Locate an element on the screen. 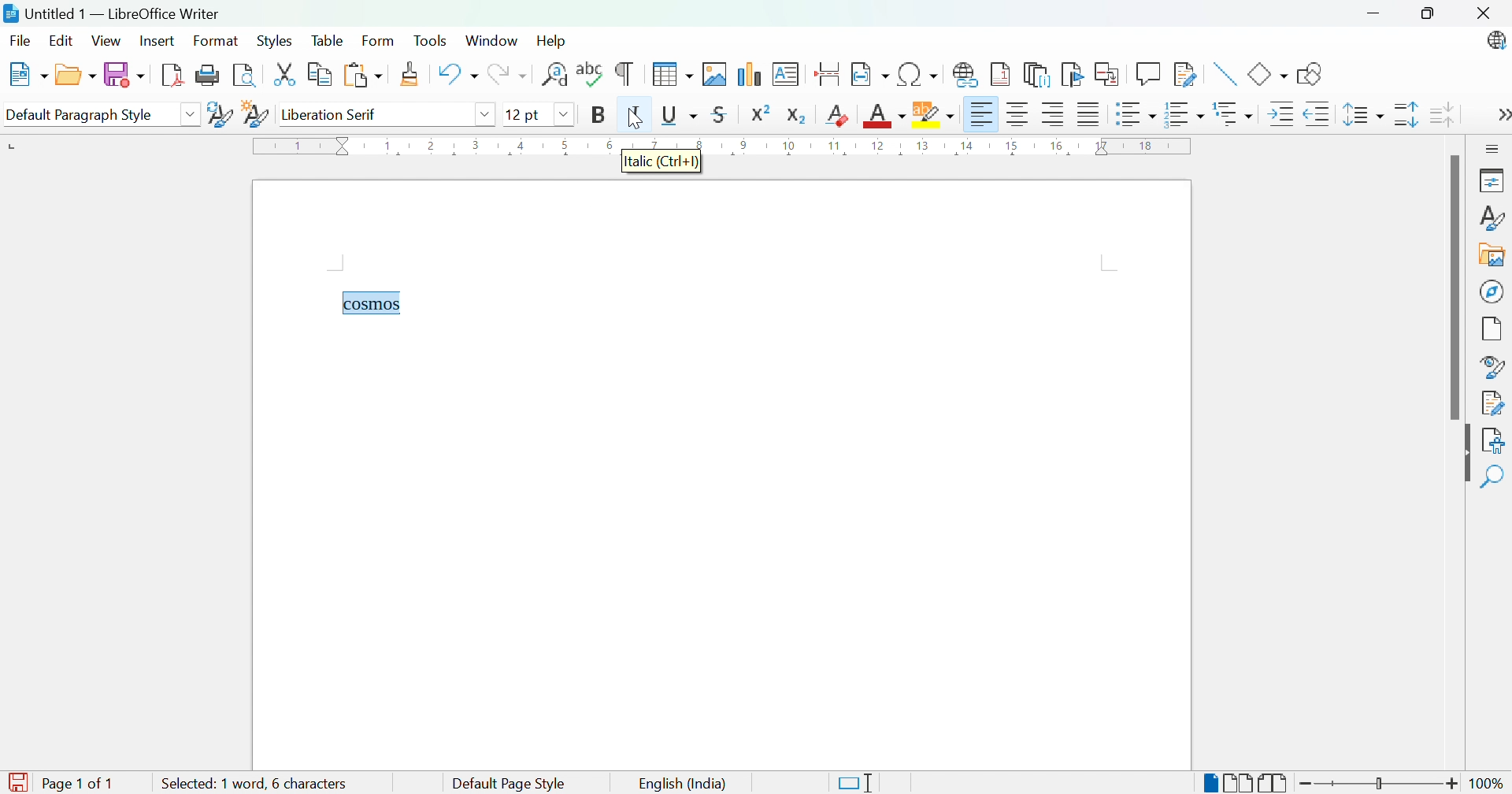 This screenshot has height=794, width=1512. Save is located at coordinates (126, 76).